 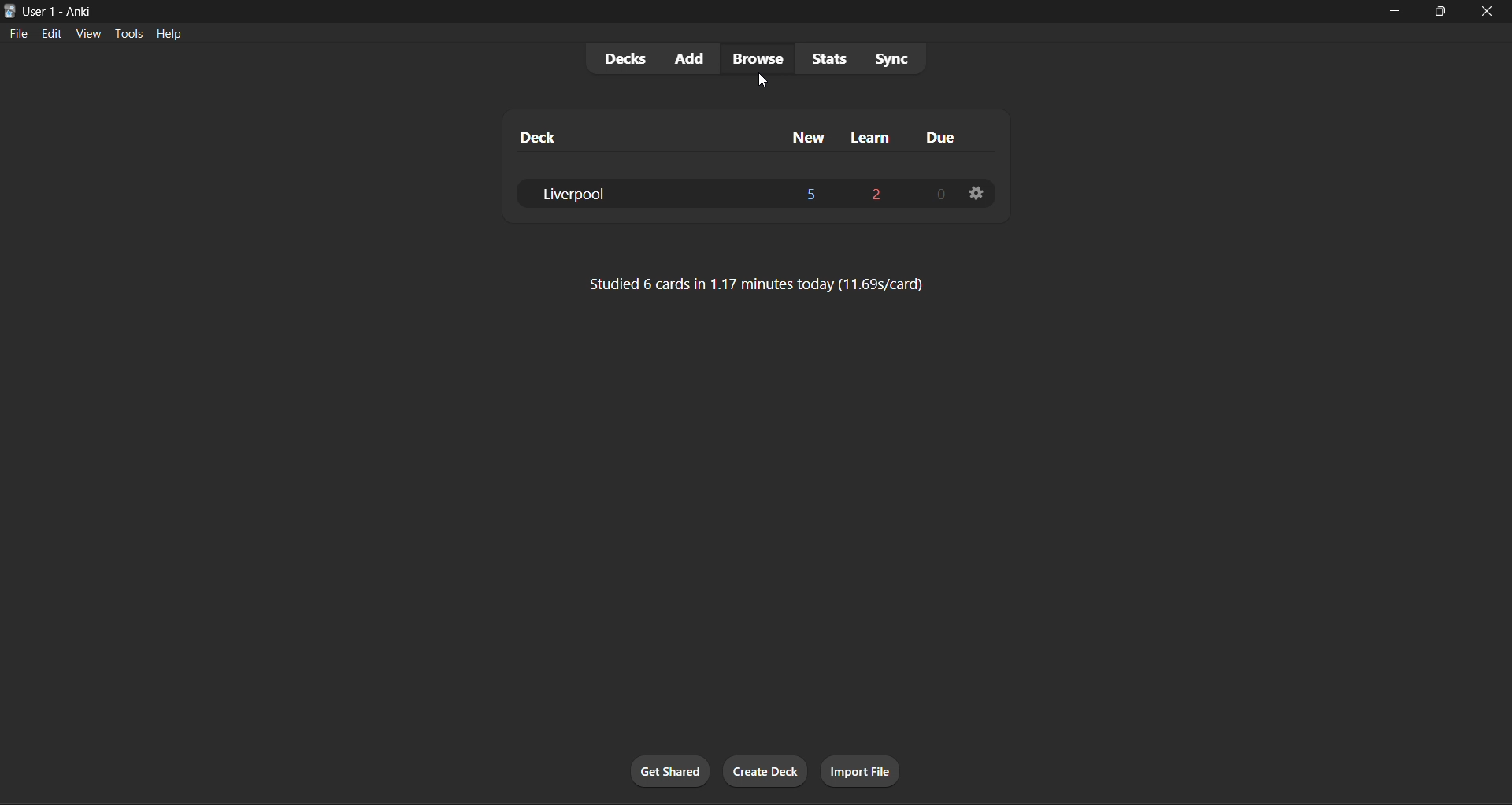 I want to click on close, so click(x=1485, y=10).